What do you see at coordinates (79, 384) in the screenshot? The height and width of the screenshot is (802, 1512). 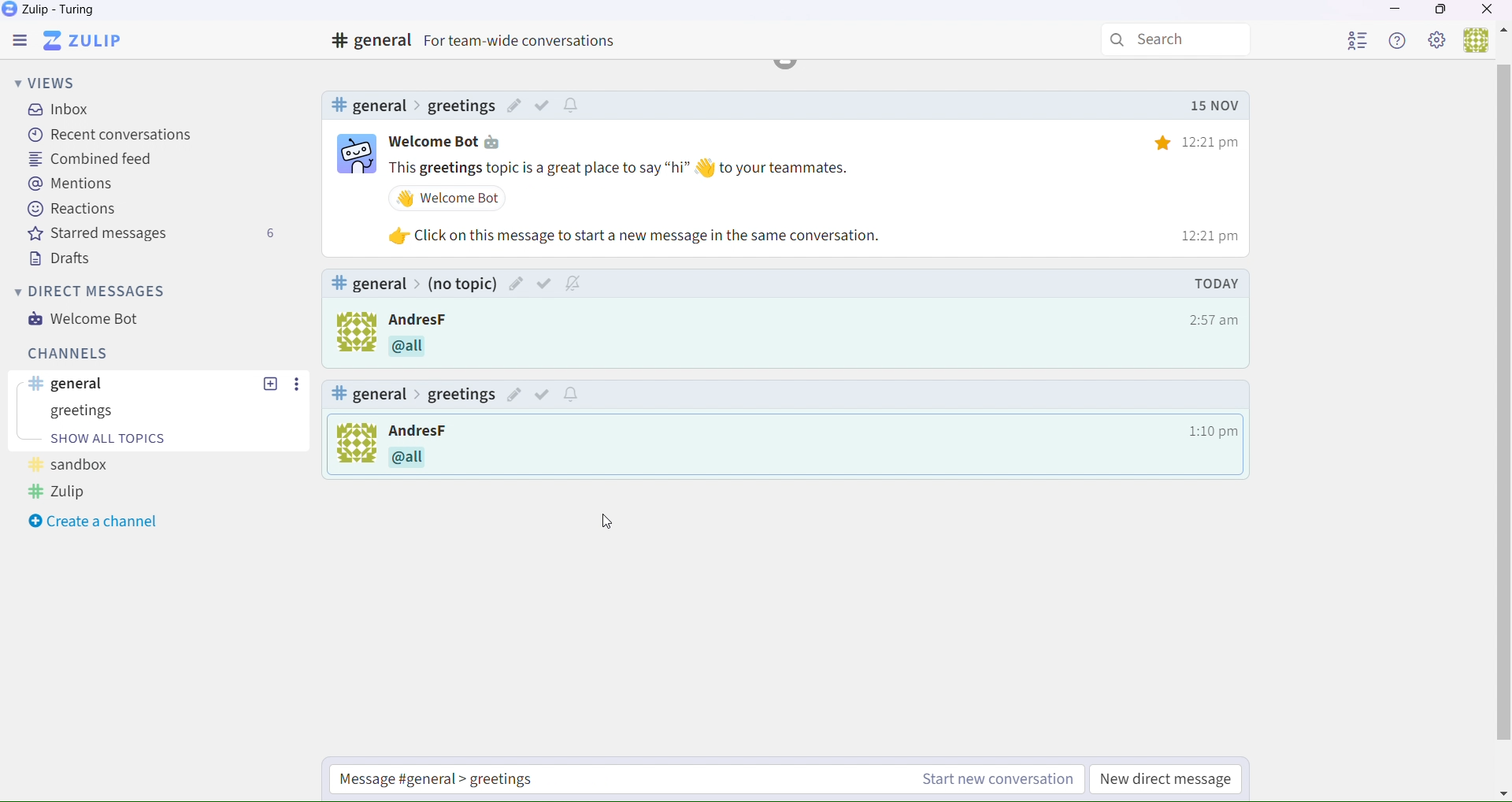 I see `General` at bounding box center [79, 384].